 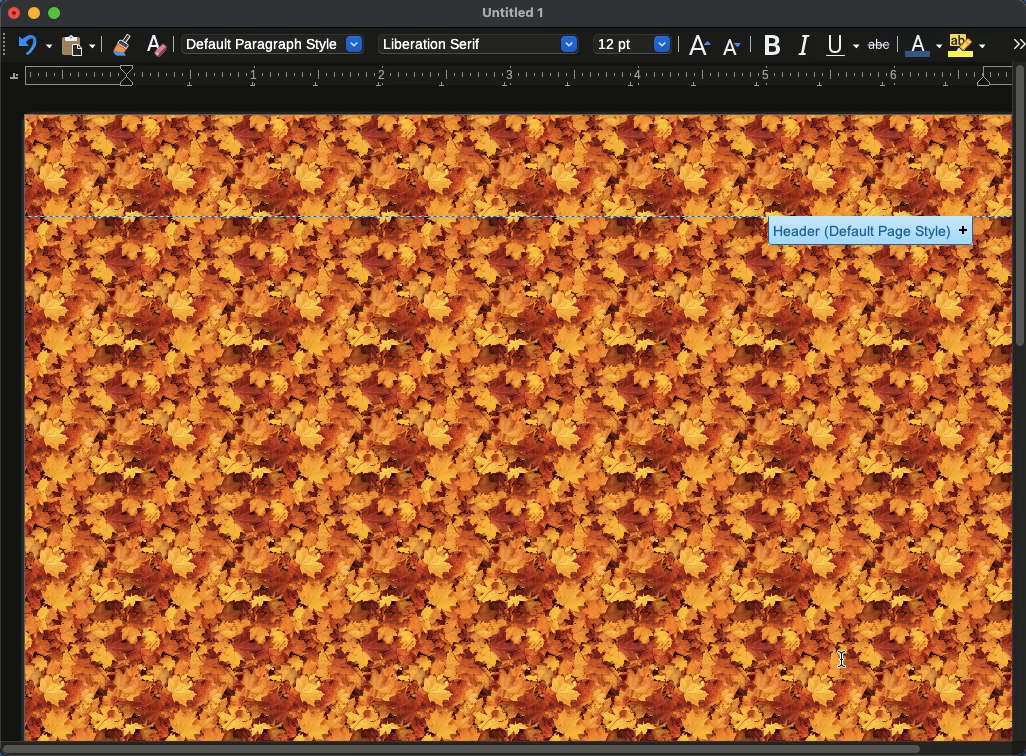 I want to click on margin, so click(x=510, y=77).